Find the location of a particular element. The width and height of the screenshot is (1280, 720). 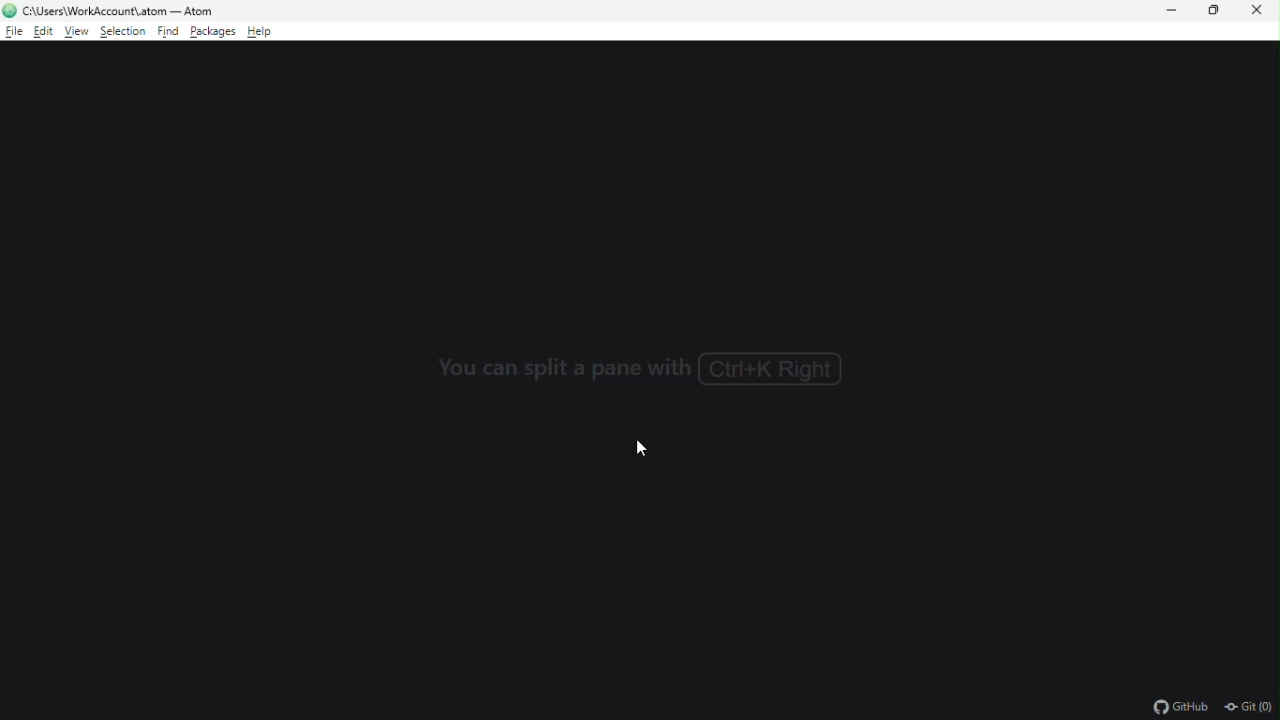

packages is located at coordinates (213, 33).